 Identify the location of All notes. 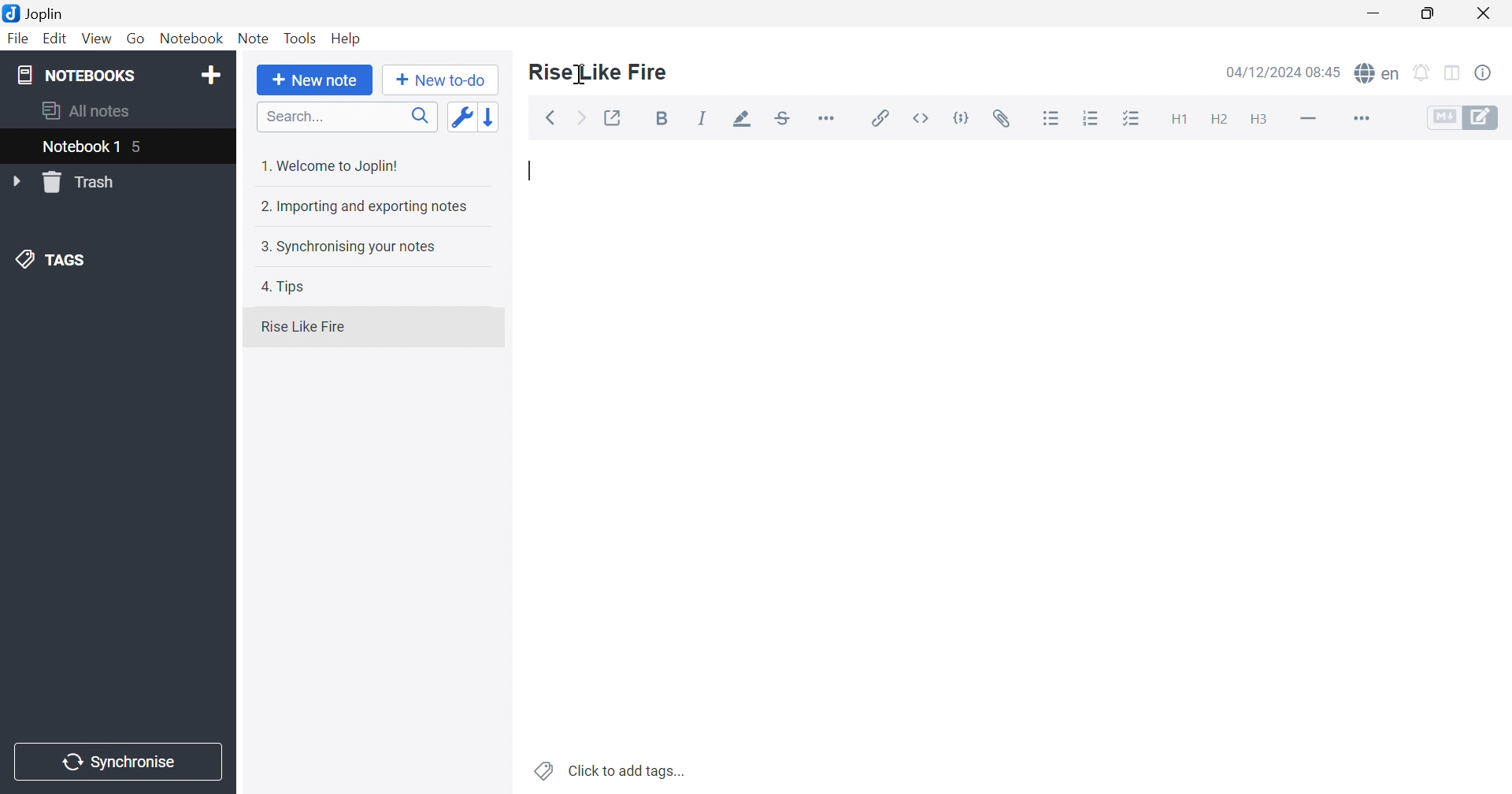
(87, 110).